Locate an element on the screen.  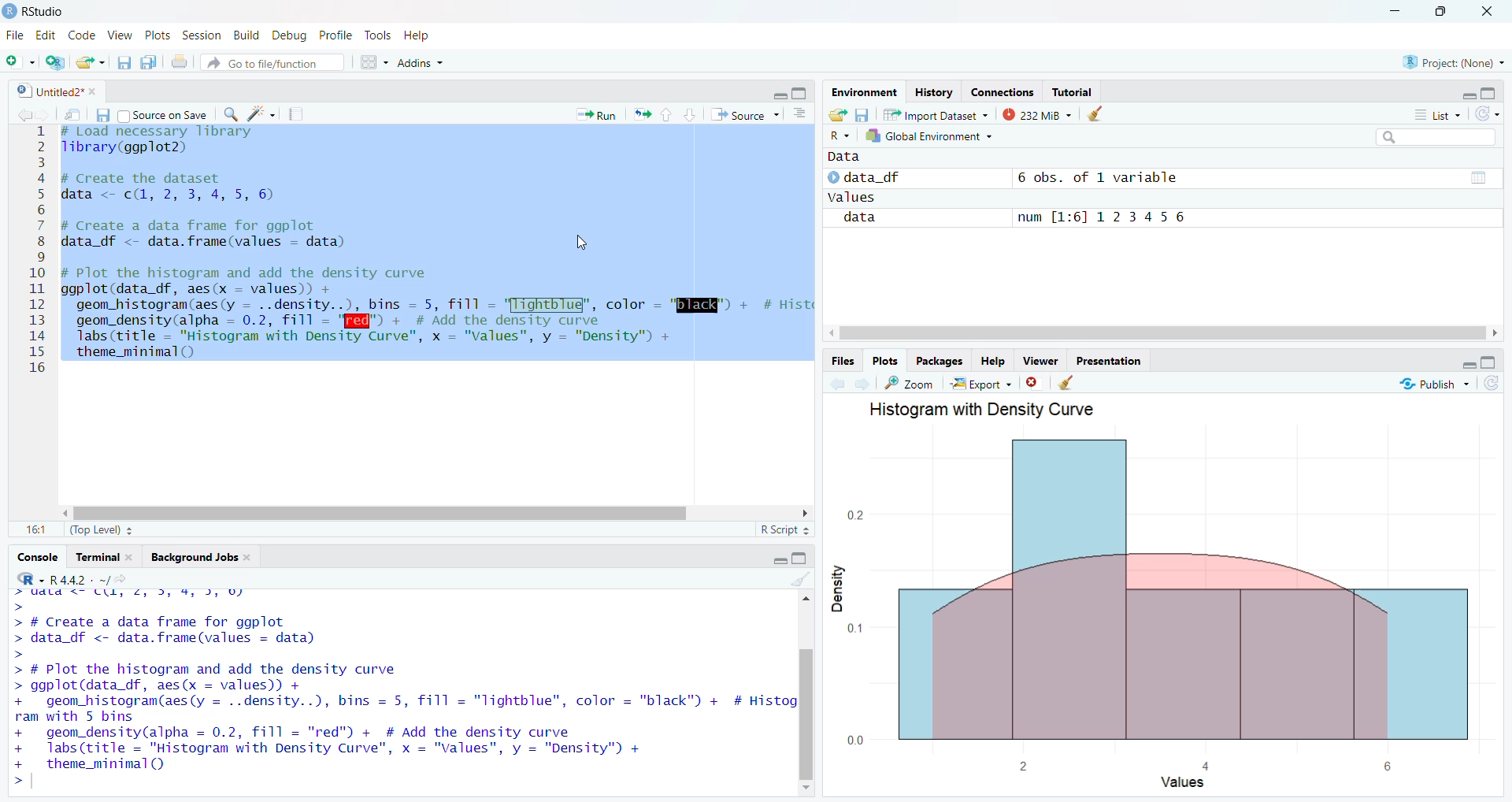
open an existing file is located at coordinates (87, 64).